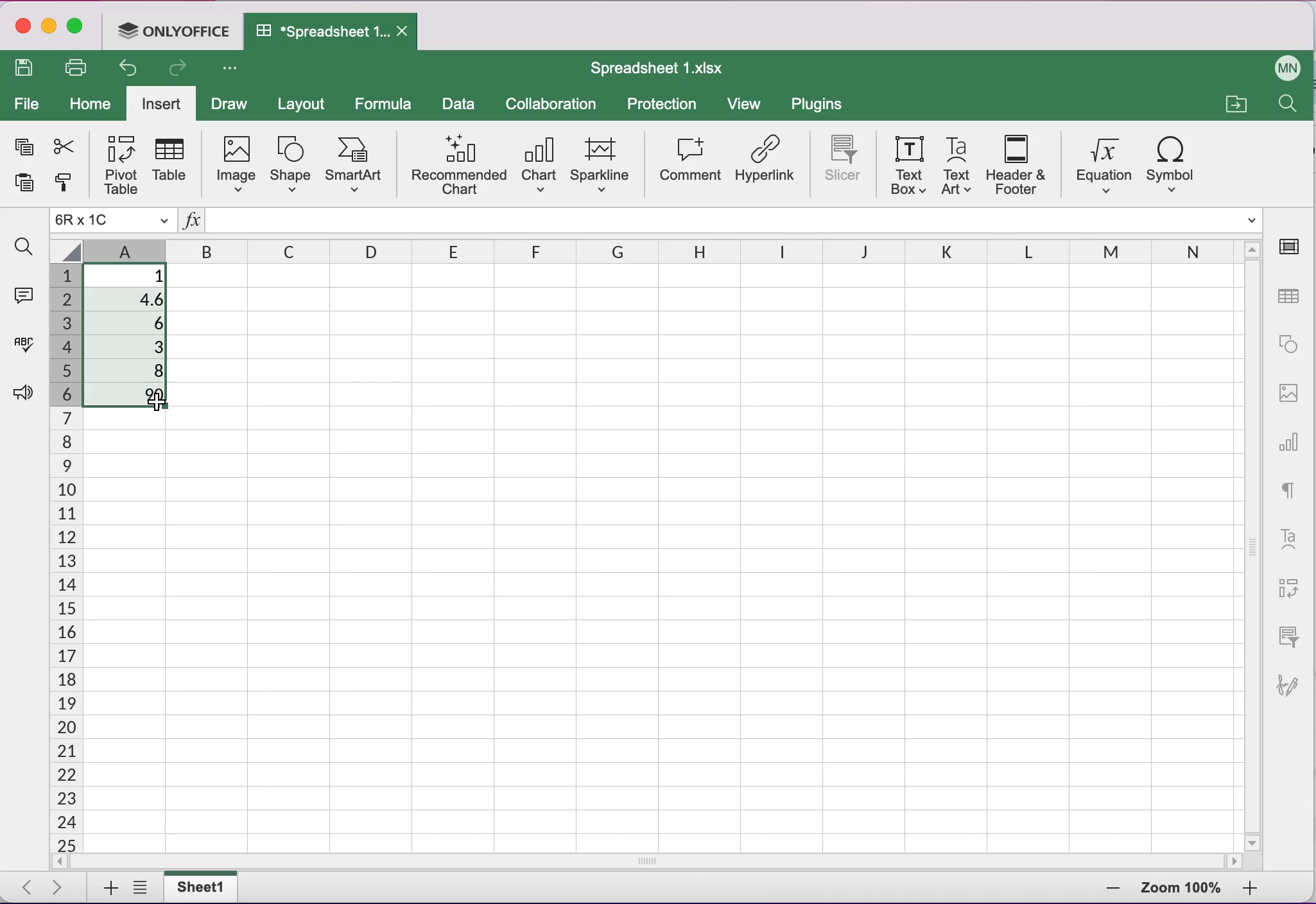  I want to click on copy style, so click(60, 184).